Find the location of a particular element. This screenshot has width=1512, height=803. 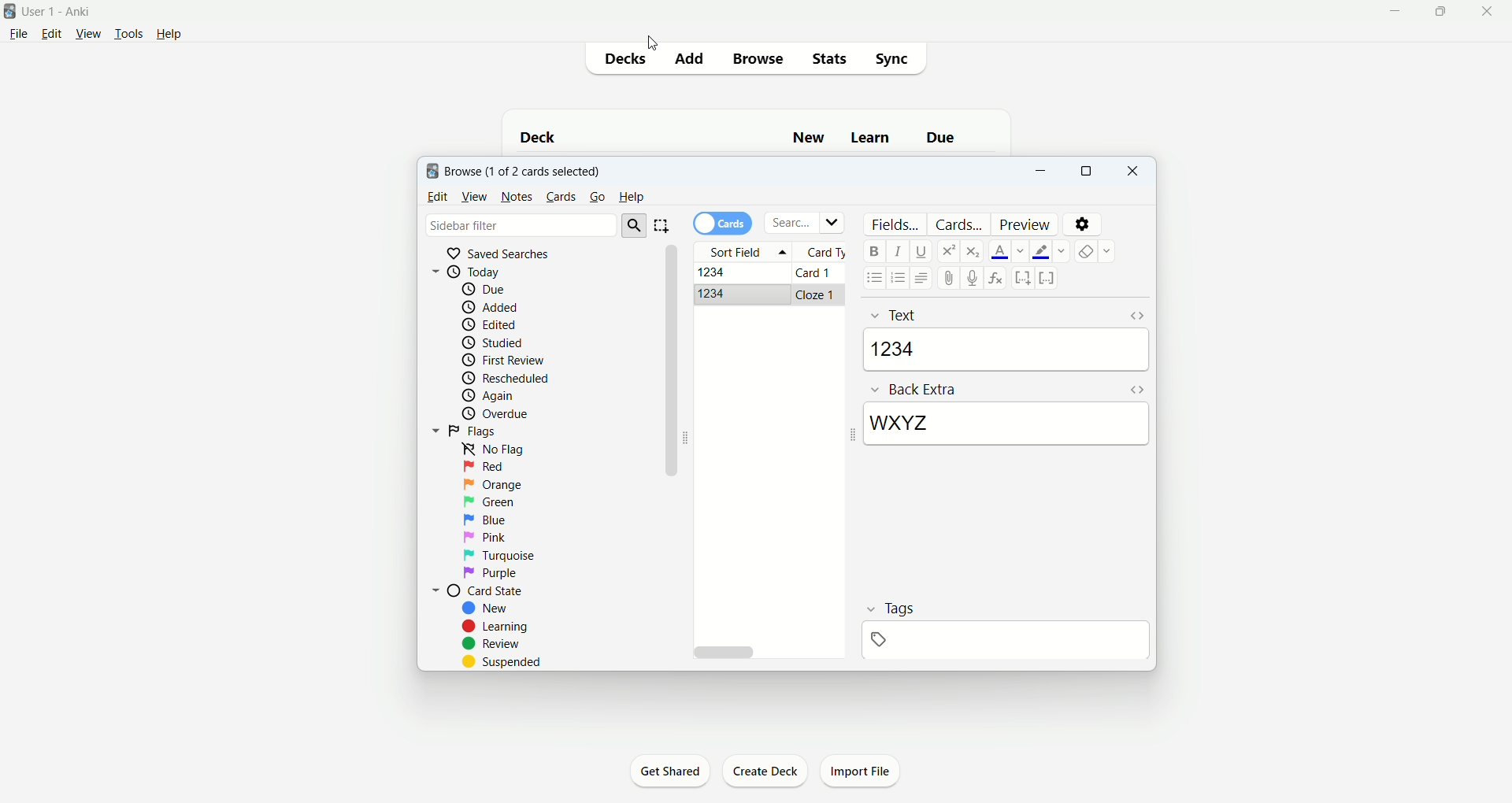

cloze deletion (new card) is located at coordinates (1023, 278).